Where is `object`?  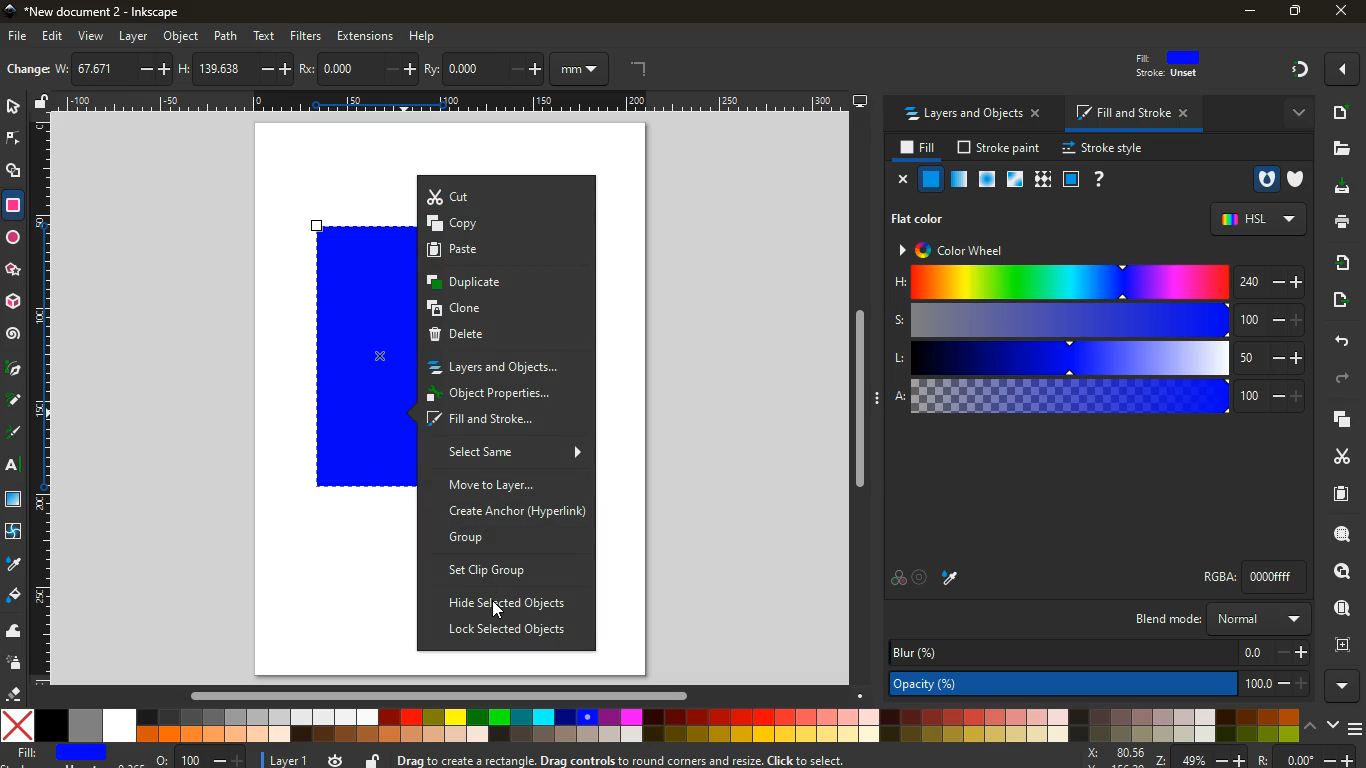 object is located at coordinates (182, 37).